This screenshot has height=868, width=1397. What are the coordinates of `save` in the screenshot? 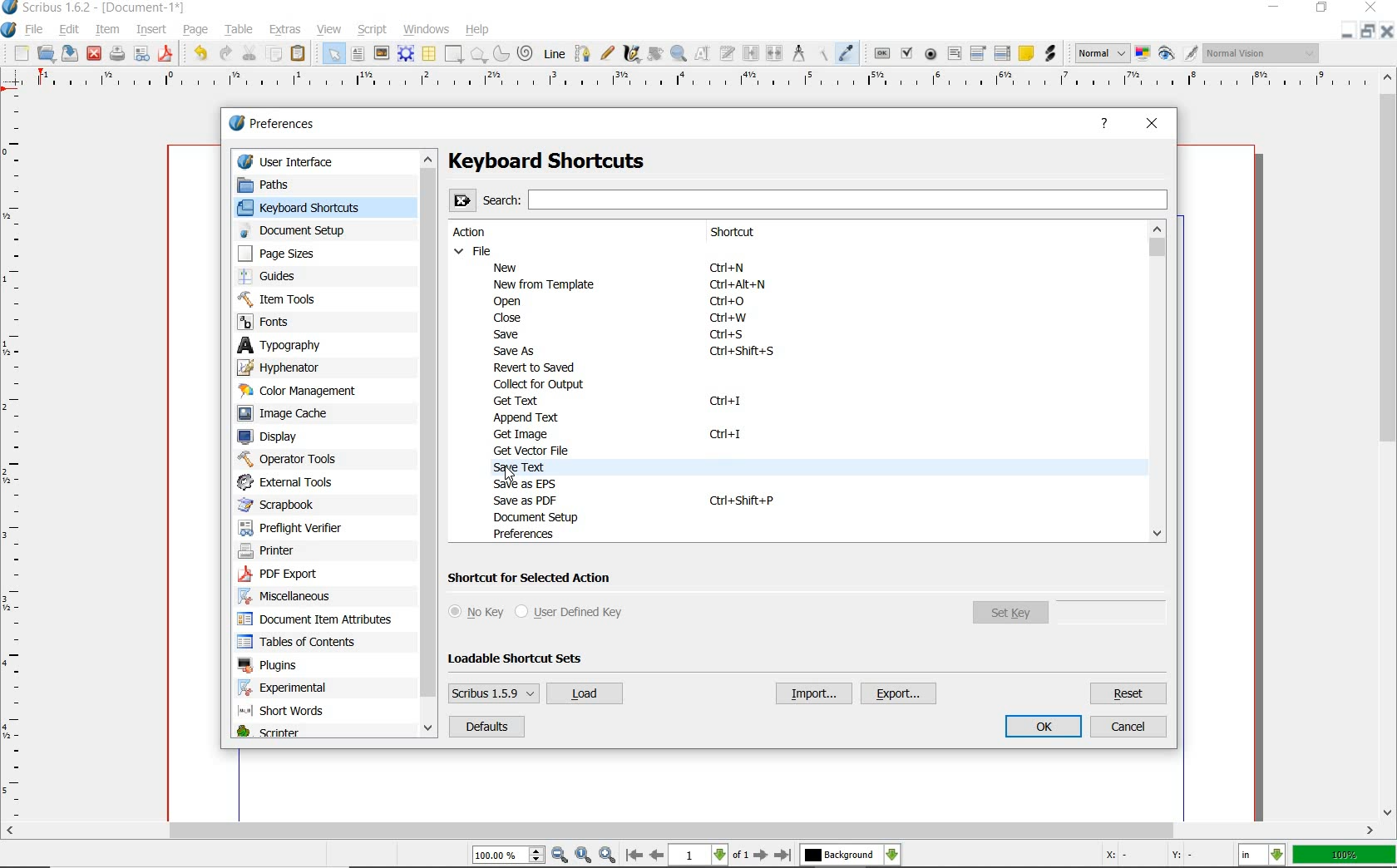 It's located at (67, 53).